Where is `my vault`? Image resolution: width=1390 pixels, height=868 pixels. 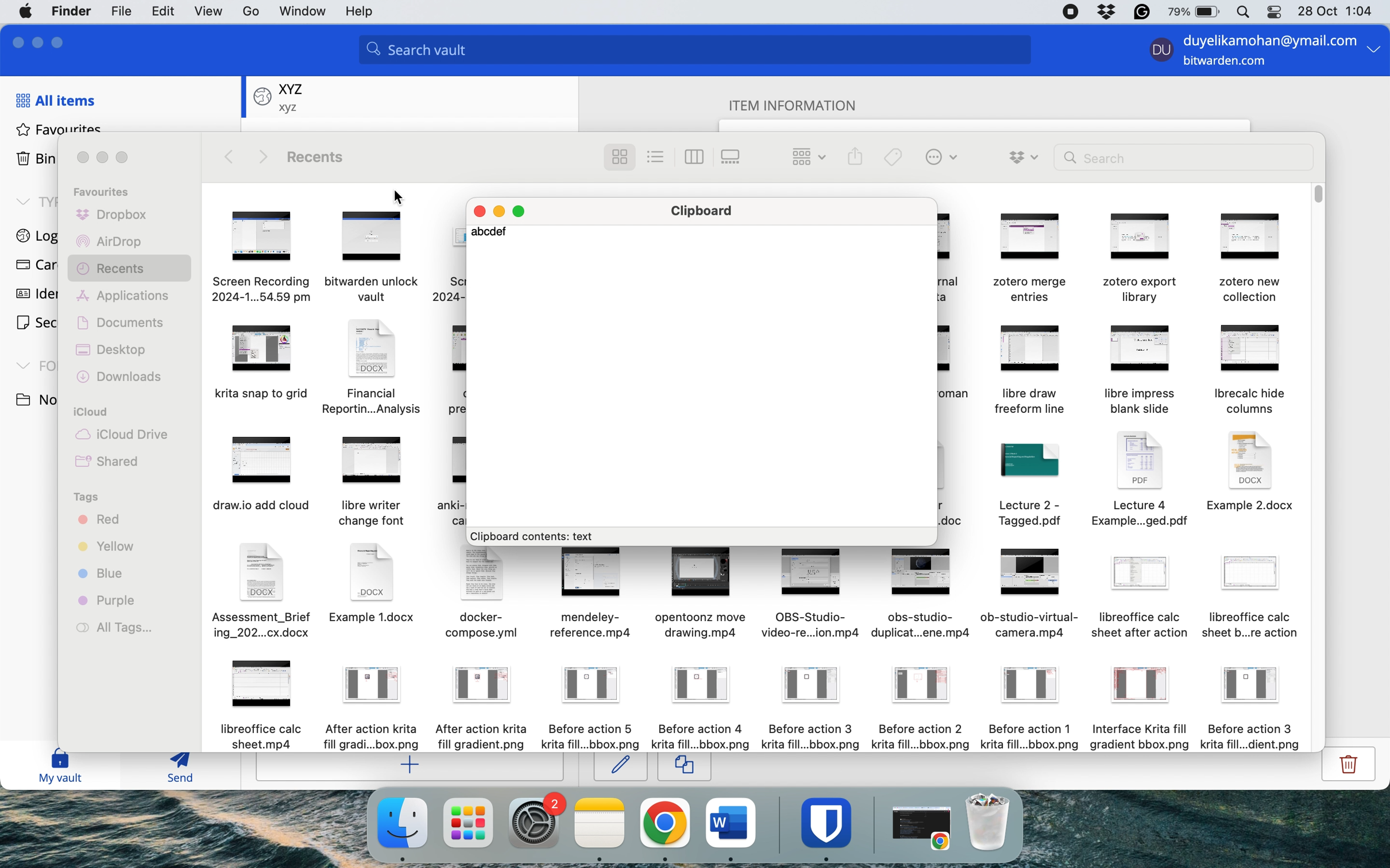 my vault is located at coordinates (60, 768).